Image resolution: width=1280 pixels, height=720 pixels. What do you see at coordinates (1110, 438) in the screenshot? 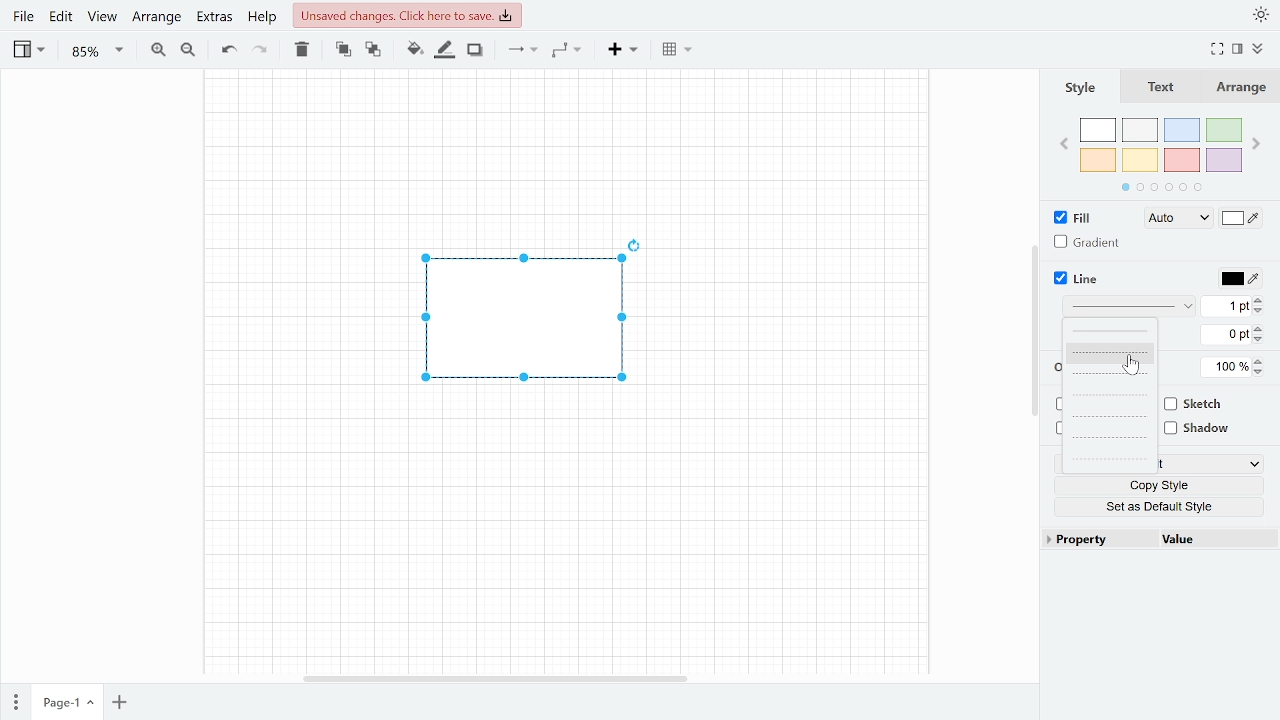
I see `Dotted 2` at bounding box center [1110, 438].